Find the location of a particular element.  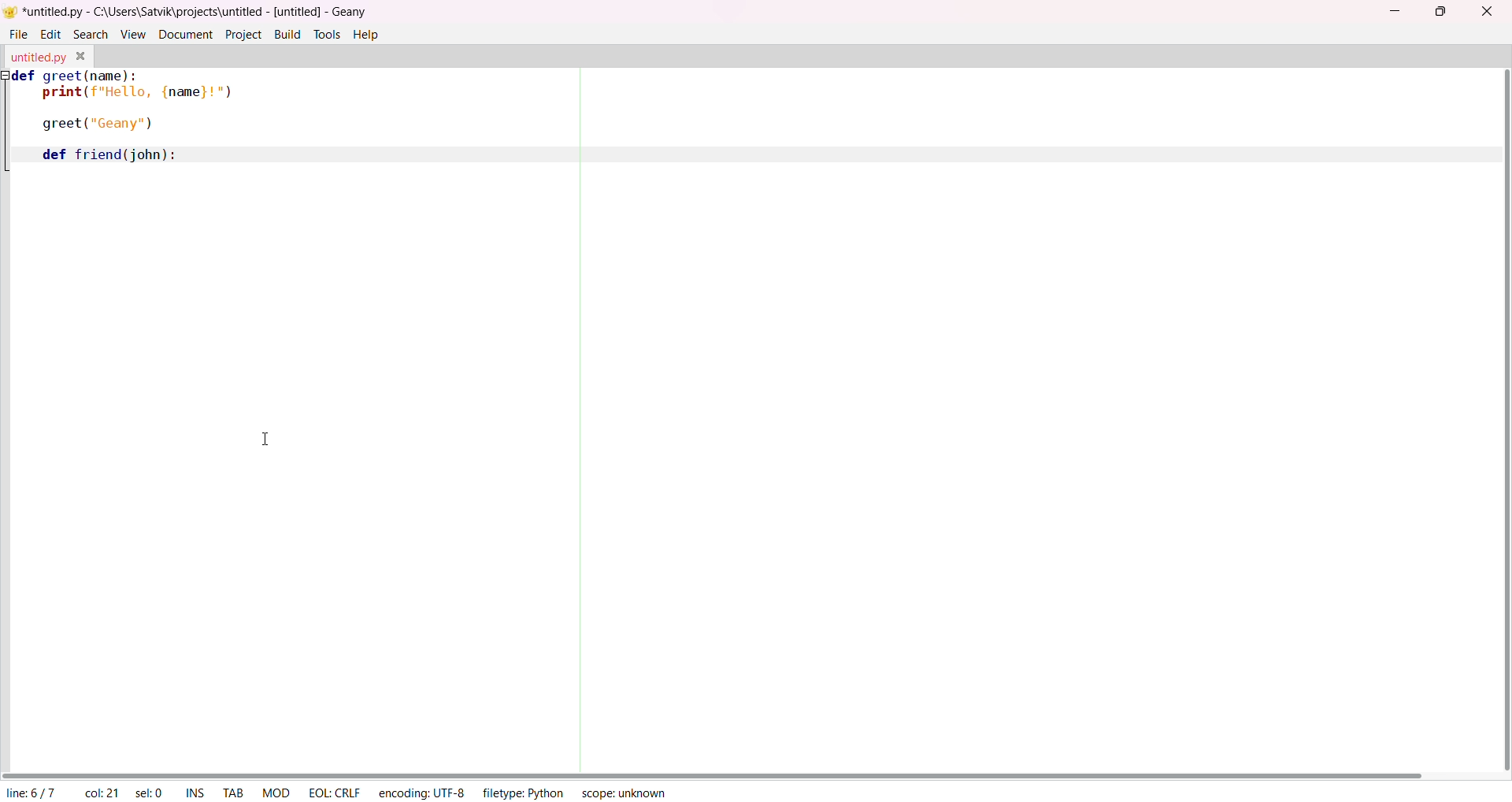

tools is located at coordinates (326, 35).